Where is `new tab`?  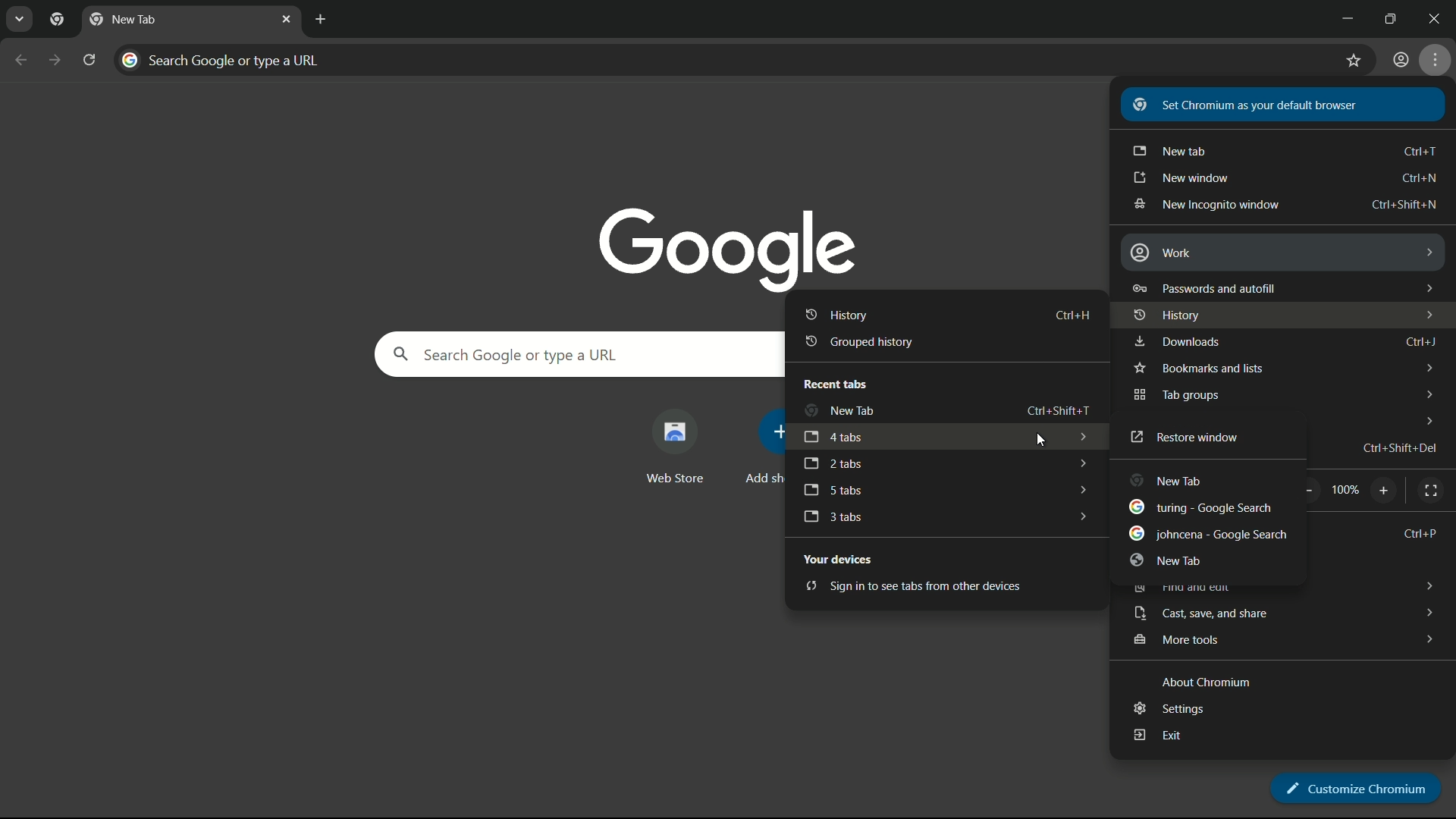
new tab is located at coordinates (123, 20).